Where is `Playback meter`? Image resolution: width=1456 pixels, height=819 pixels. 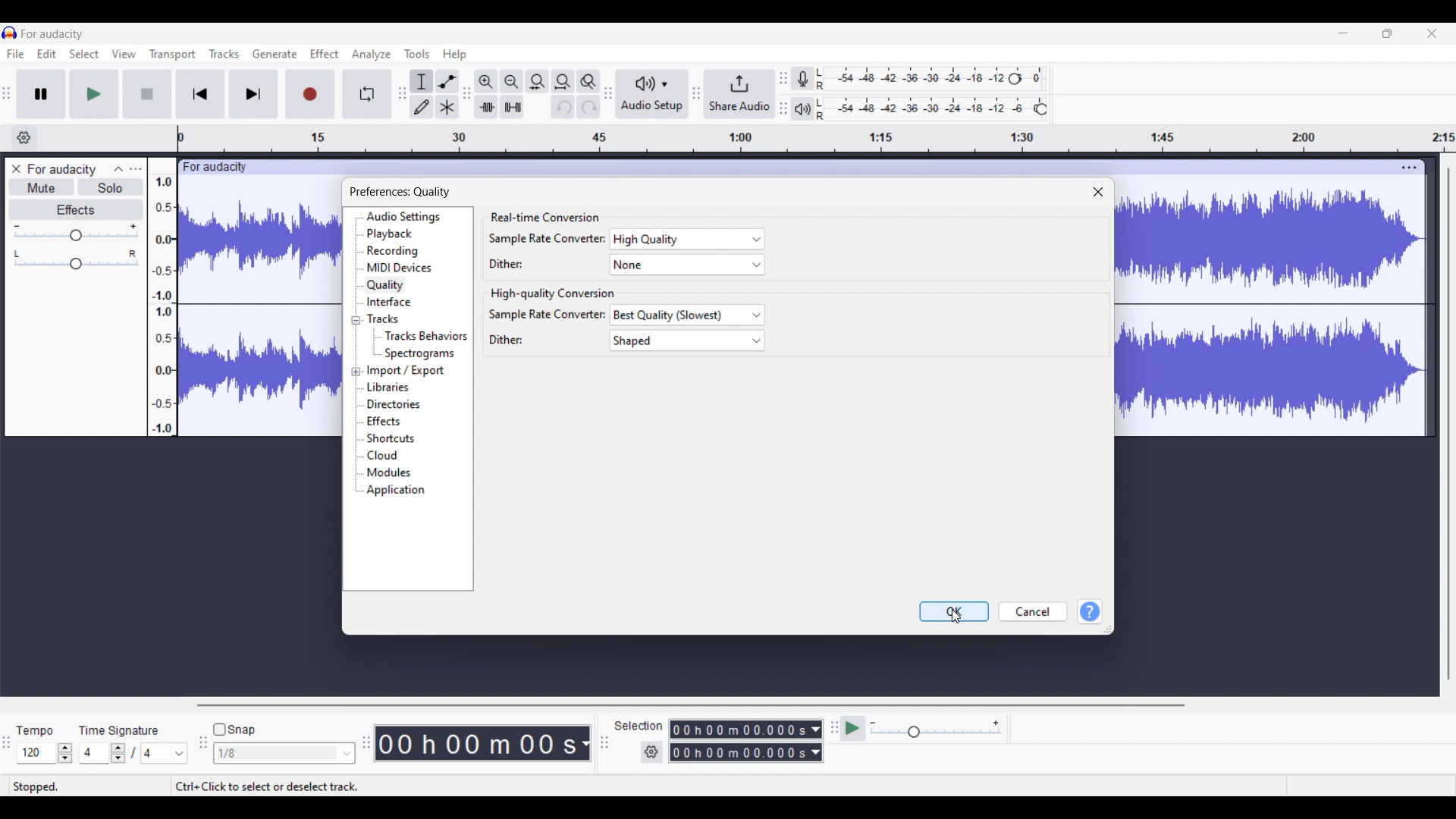 Playback meter is located at coordinates (802, 108).